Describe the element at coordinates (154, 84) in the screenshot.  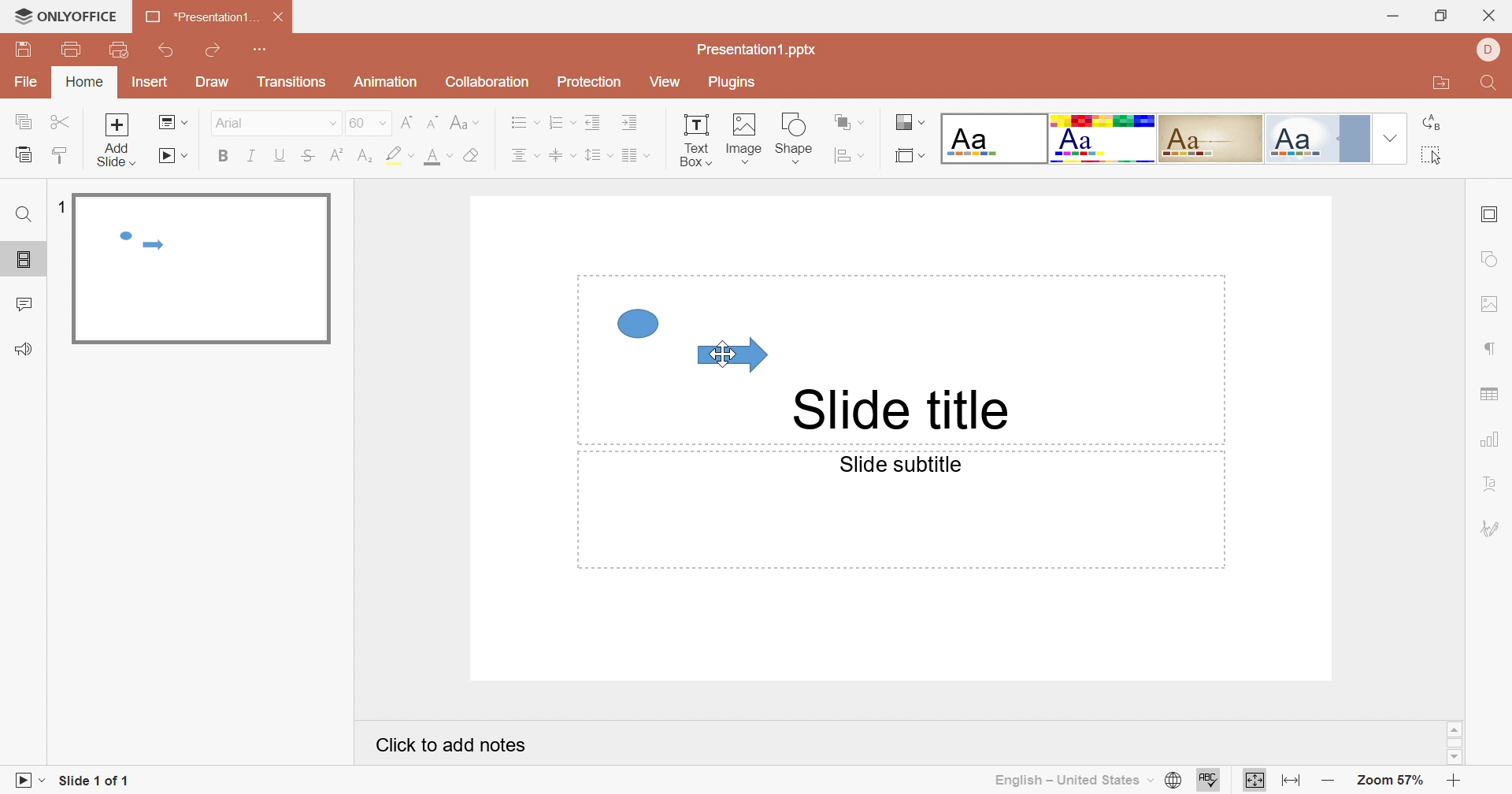
I see `Insert` at that location.